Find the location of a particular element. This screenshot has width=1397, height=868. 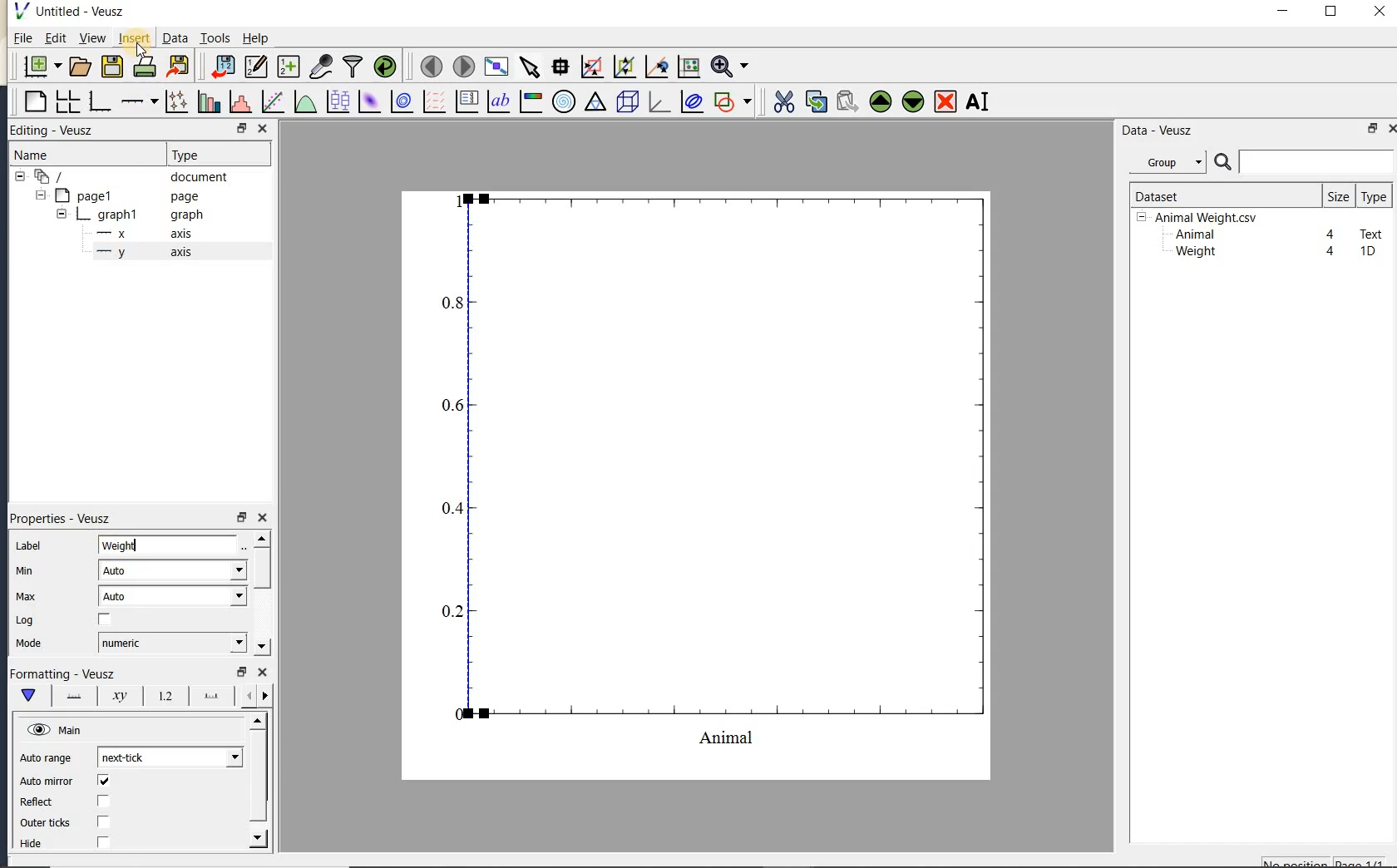

move to the next page is located at coordinates (462, 65).